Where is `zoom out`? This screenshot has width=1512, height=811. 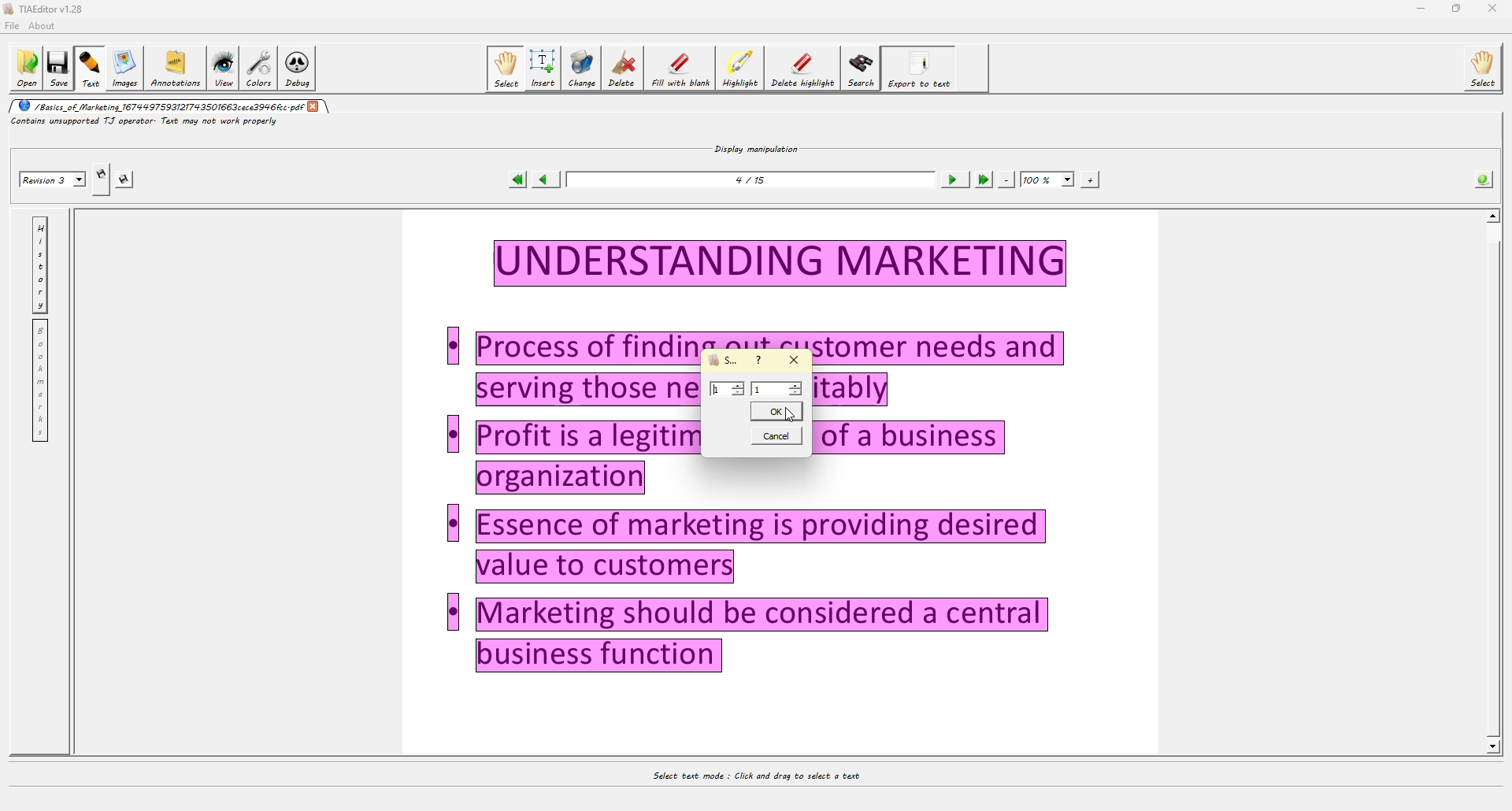 zoom out is located at coordinates (1006, 180).